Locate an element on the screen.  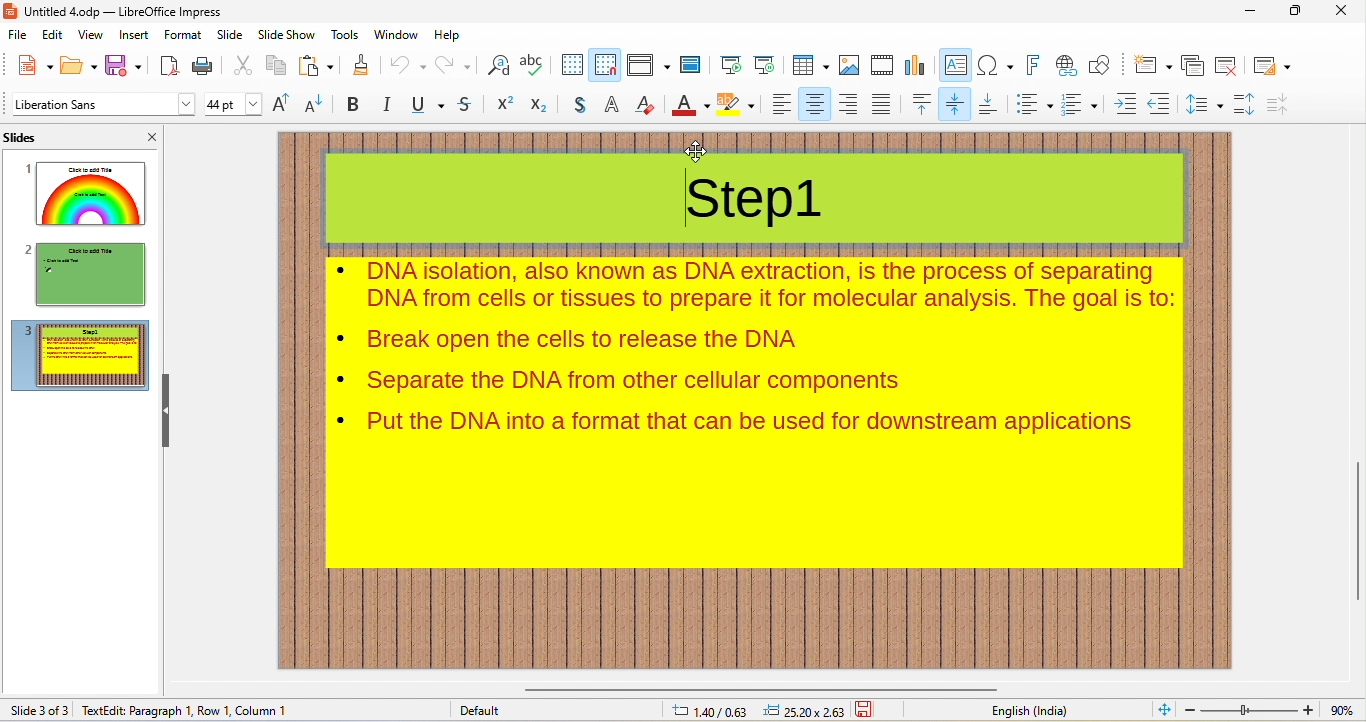
media is located at coordinates (879, 64).